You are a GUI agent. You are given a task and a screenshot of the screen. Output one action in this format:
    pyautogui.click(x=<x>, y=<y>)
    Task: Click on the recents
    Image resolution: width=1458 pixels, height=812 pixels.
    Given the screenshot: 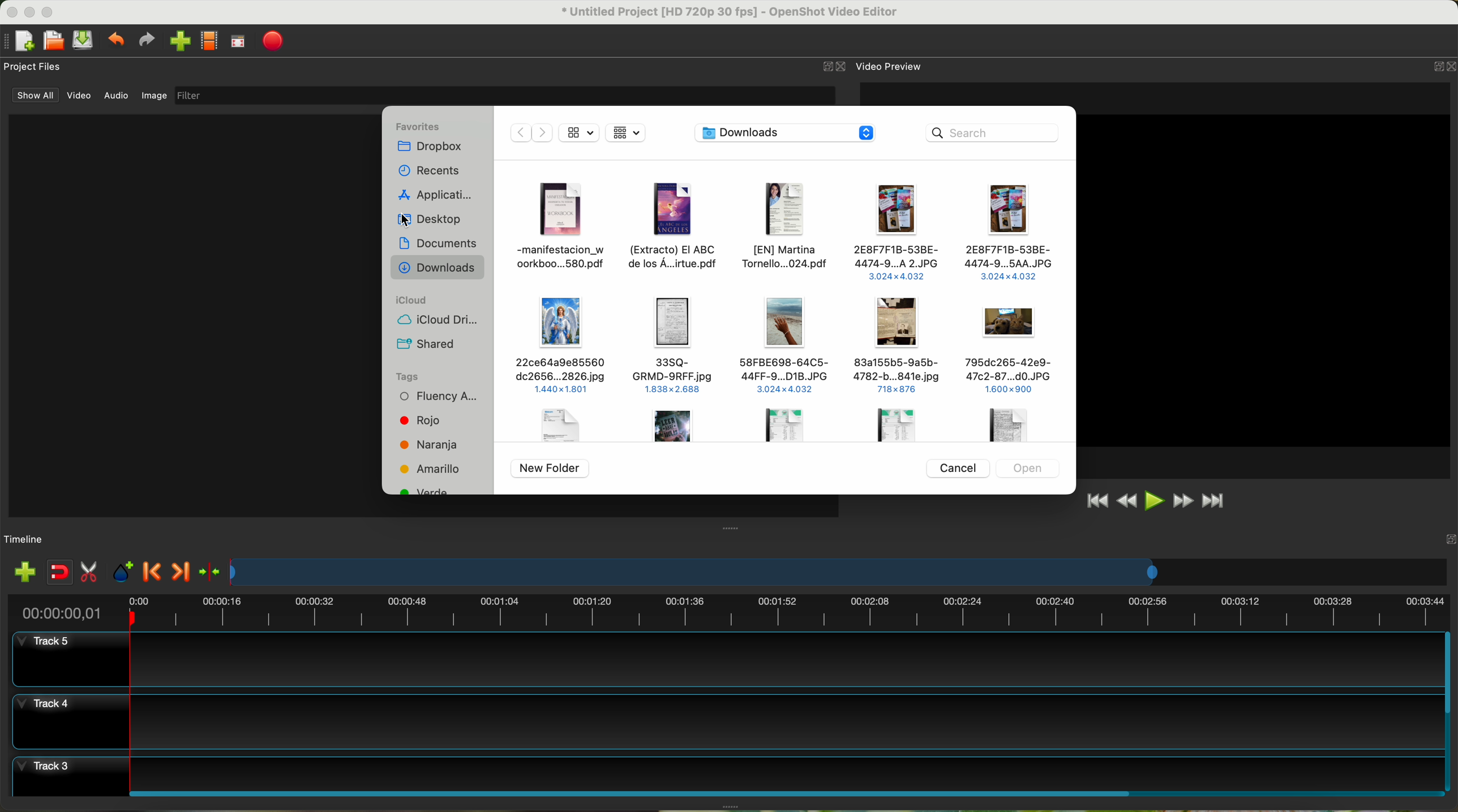 What is the action you would take?
    pyautogui.click(x=433, y=170)
    